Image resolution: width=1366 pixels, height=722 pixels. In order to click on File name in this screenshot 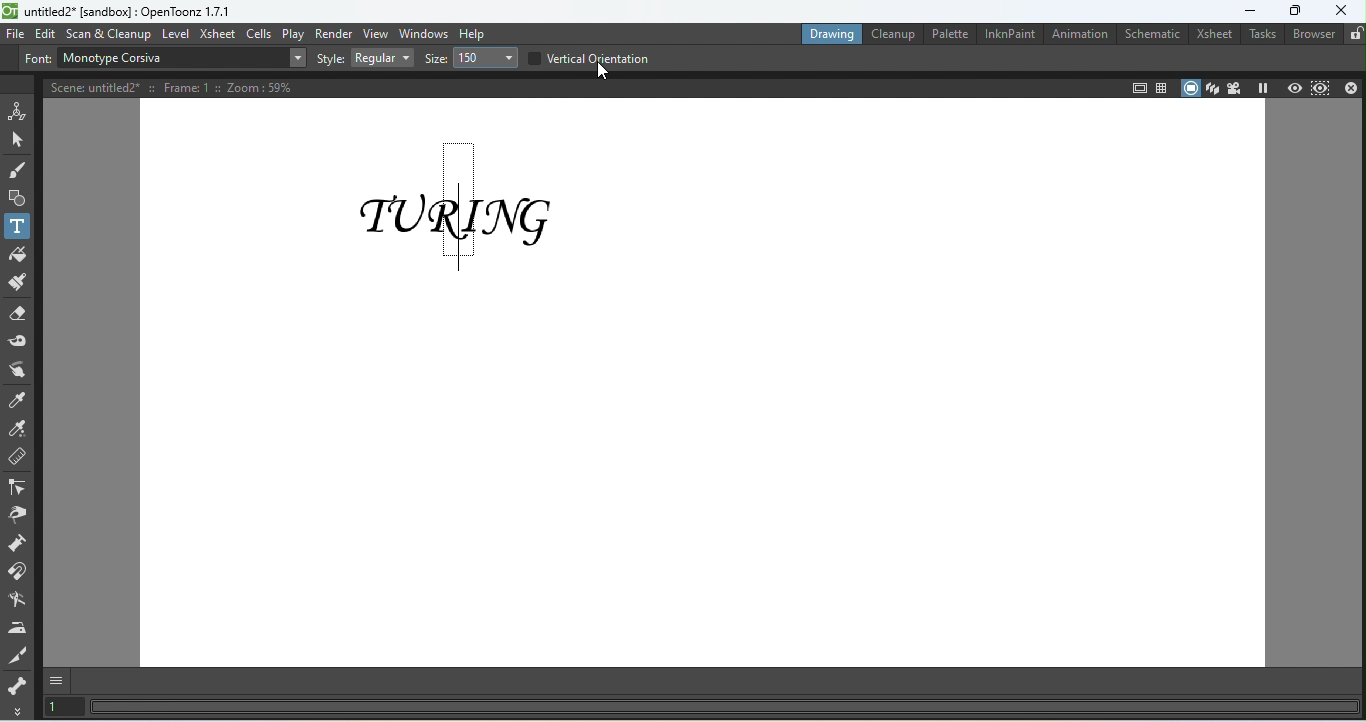, I will do `click(119, 11)`.